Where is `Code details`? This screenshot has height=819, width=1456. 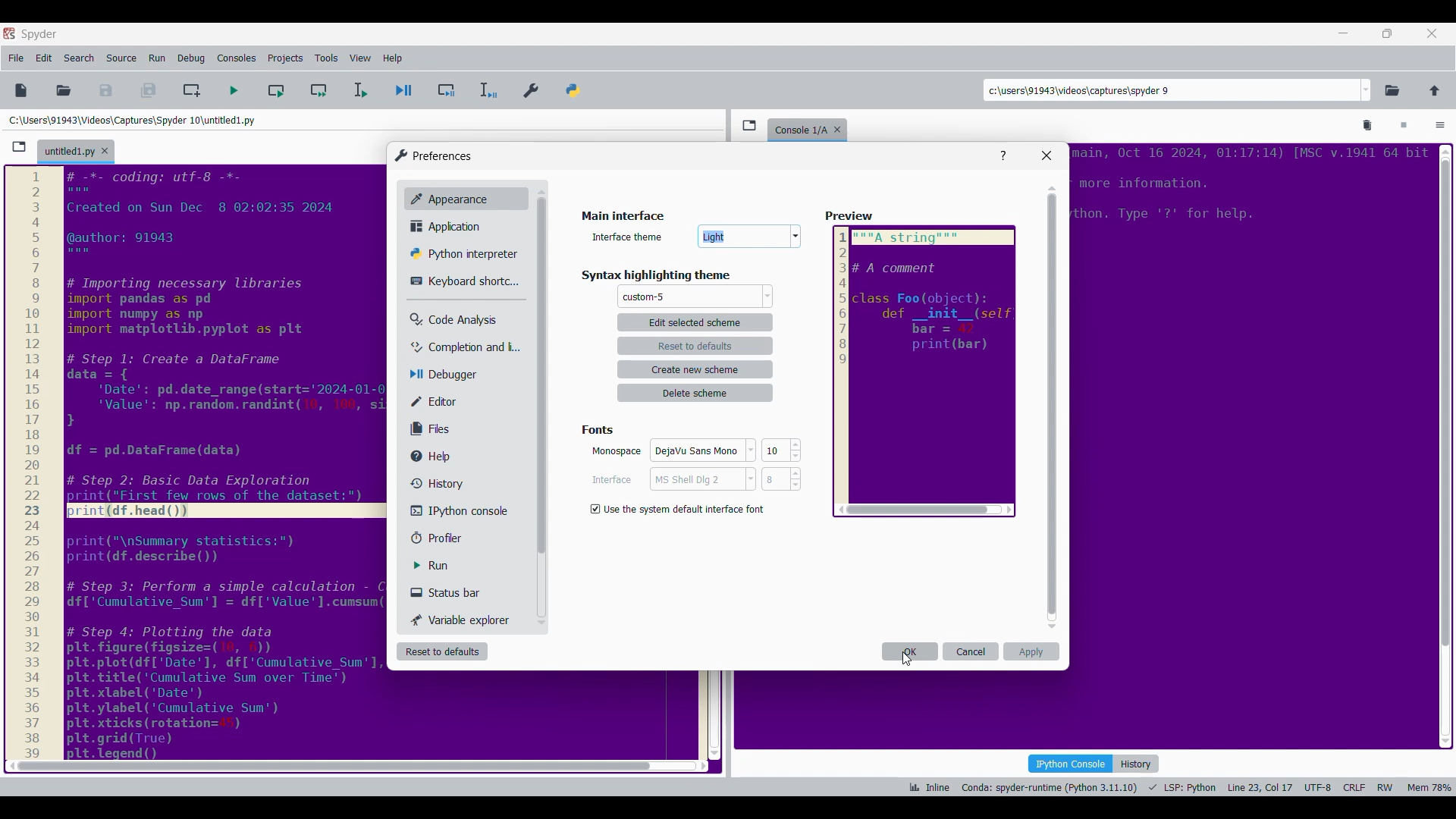
Code details is located at coordinates (1178, 787).